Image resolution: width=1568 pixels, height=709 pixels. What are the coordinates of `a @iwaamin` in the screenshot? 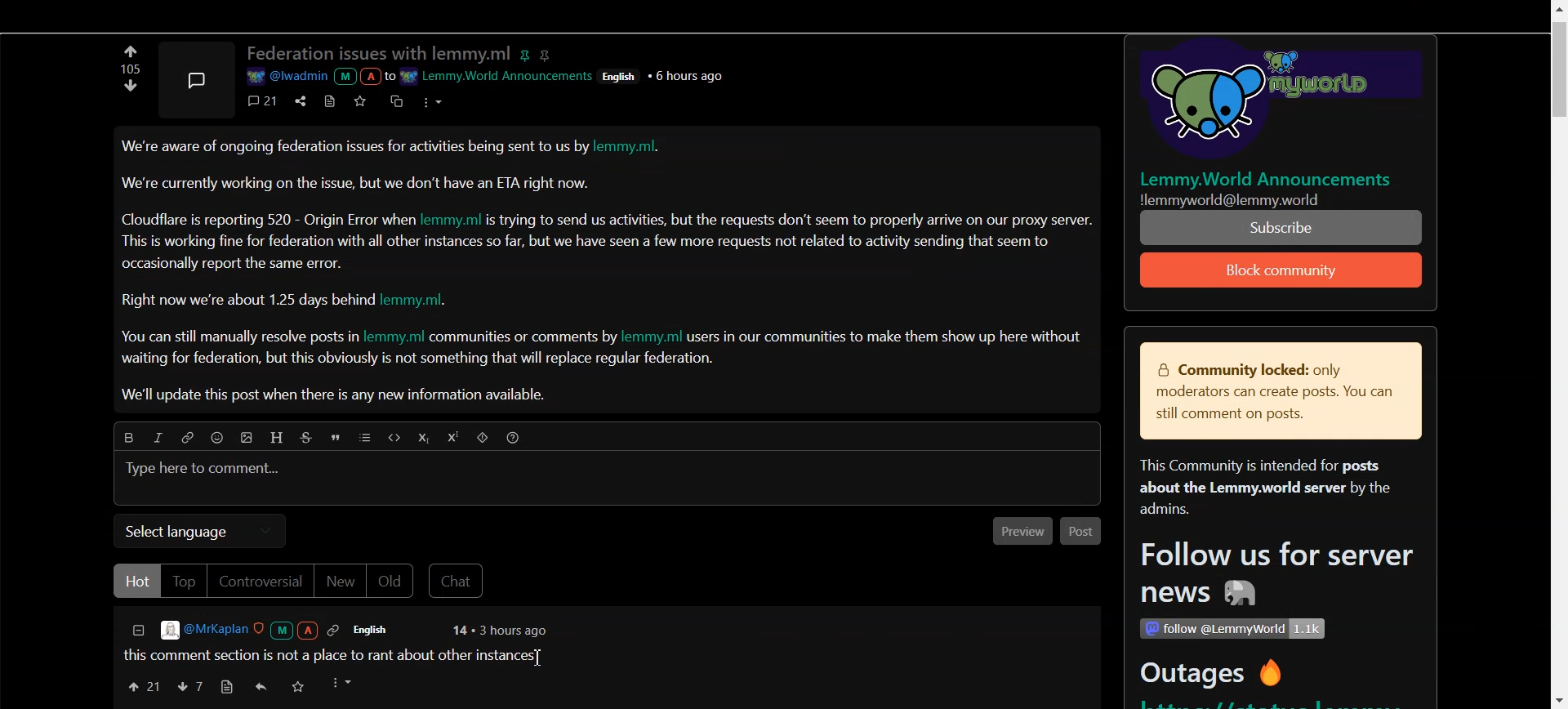 It's located at (318, 77).